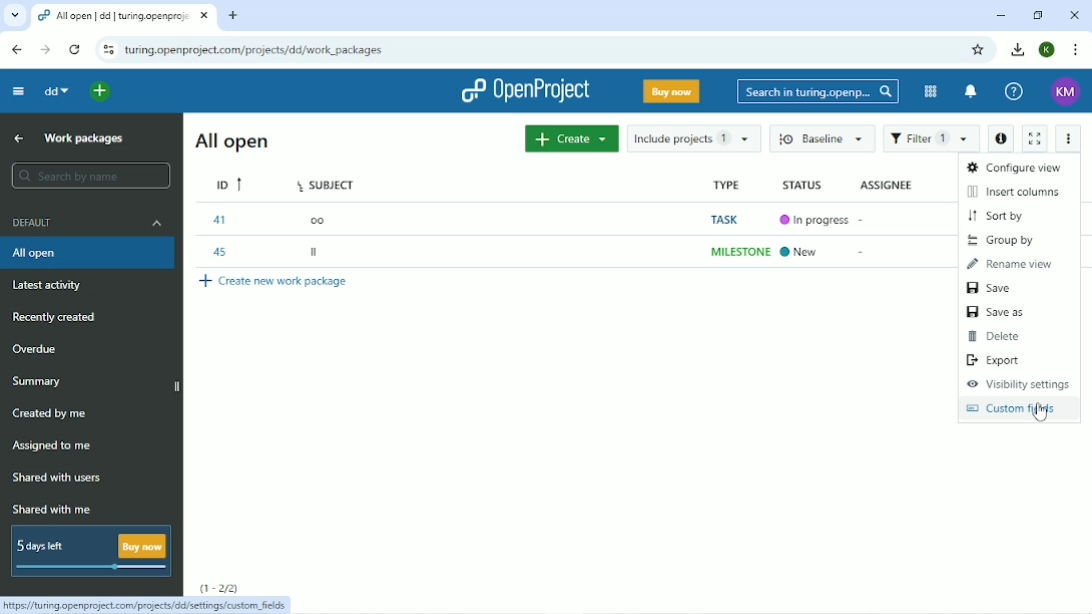  Describe the element at coordinates (232, 140) in the screenshot. I see `All open` at that location.